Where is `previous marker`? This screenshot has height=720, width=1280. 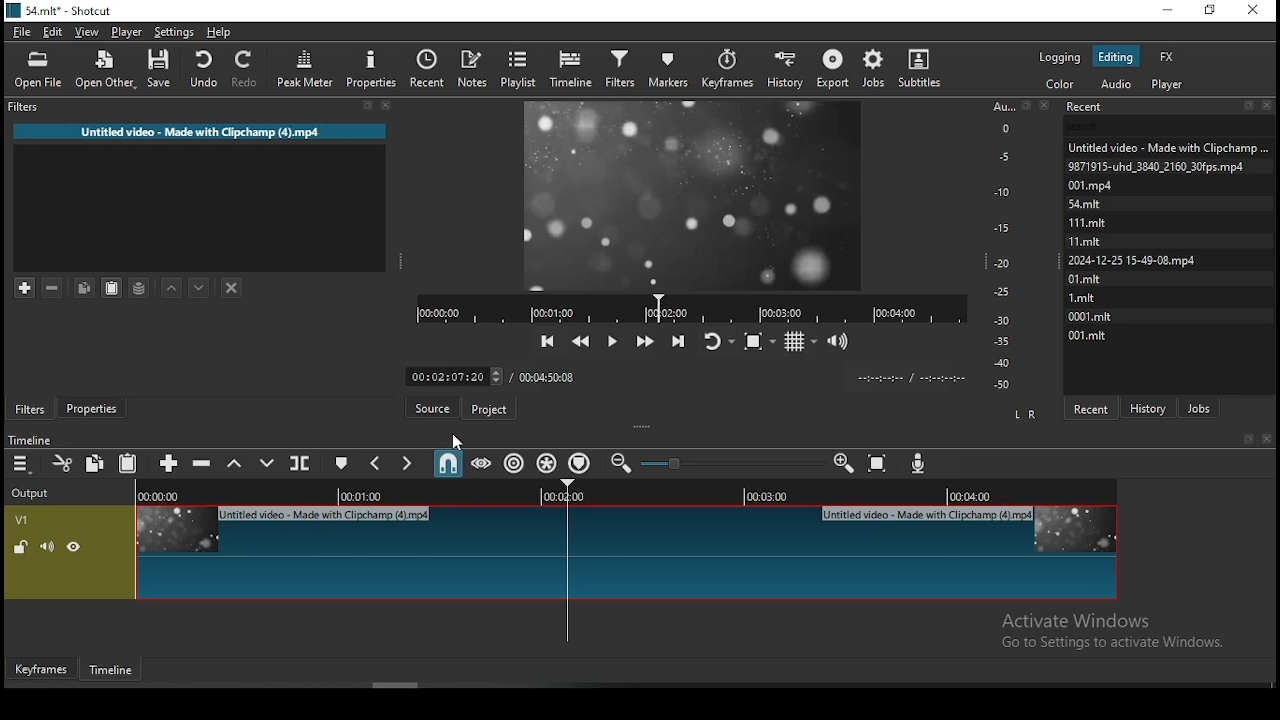
previous marker is located at coordinates (375, 464).